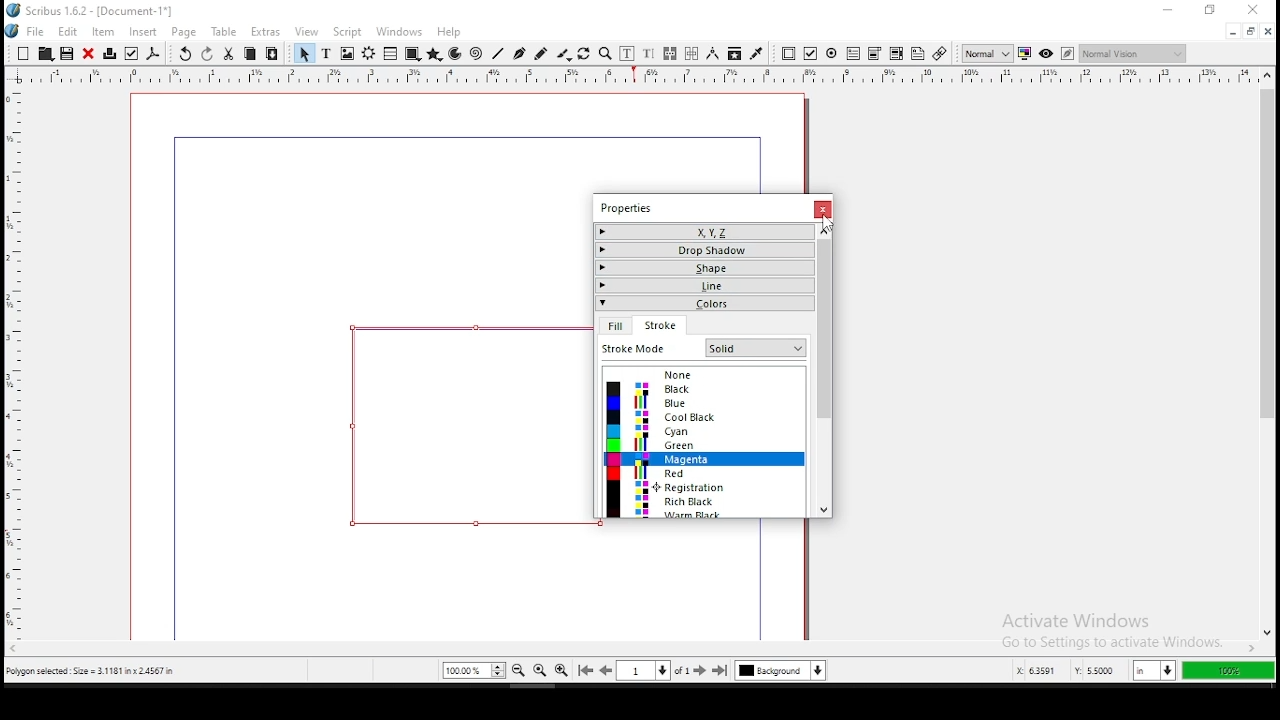 Image resolution: width=1280 pixels, height=720 pixels. Describe the element at coordinates (584, 54) in the screenshot. I see `rotate item` at that location.